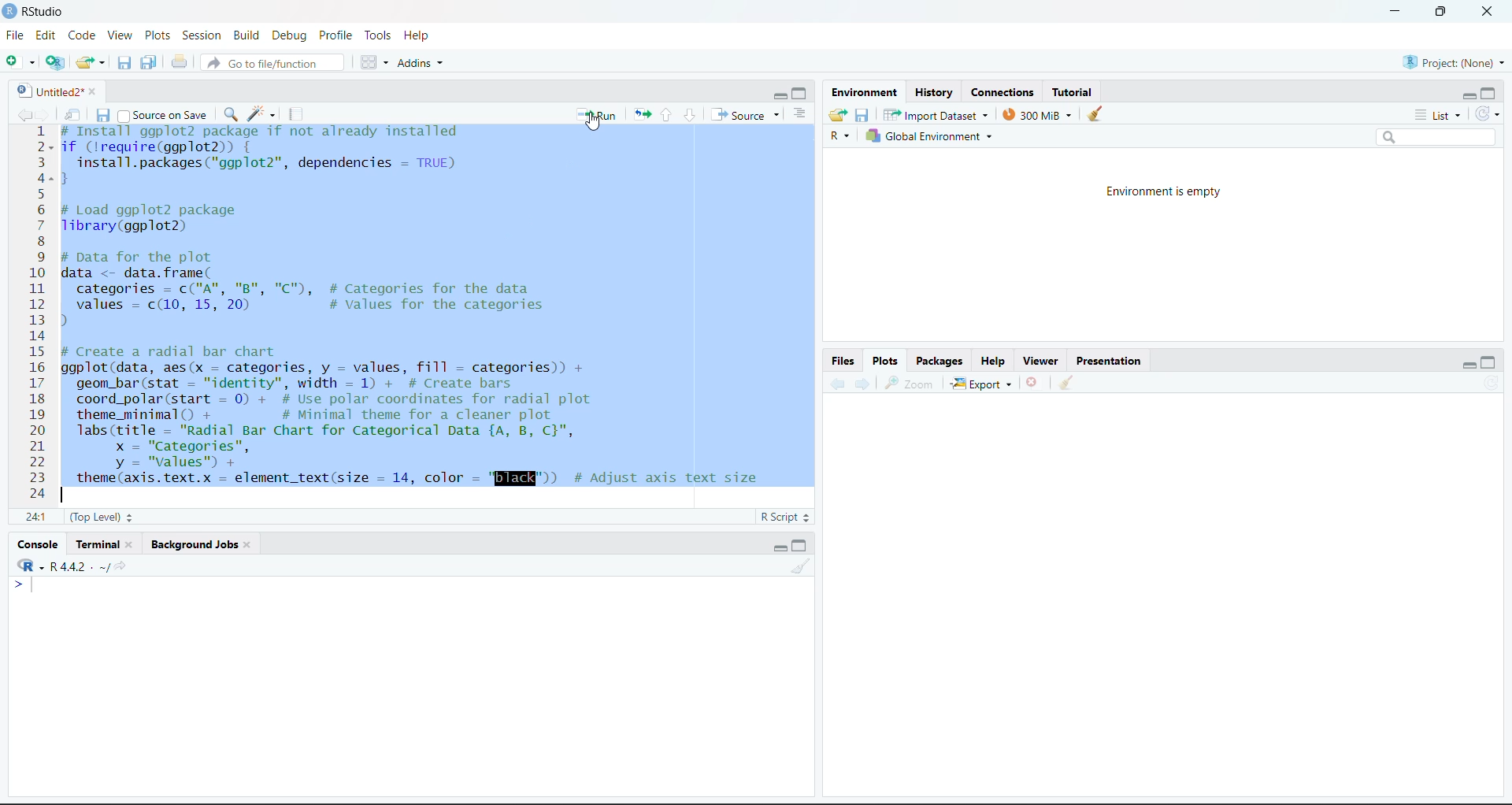 Image resolution: width=1512 pixels, height=805 pixels. I want to click on Build, so click(246, 35).